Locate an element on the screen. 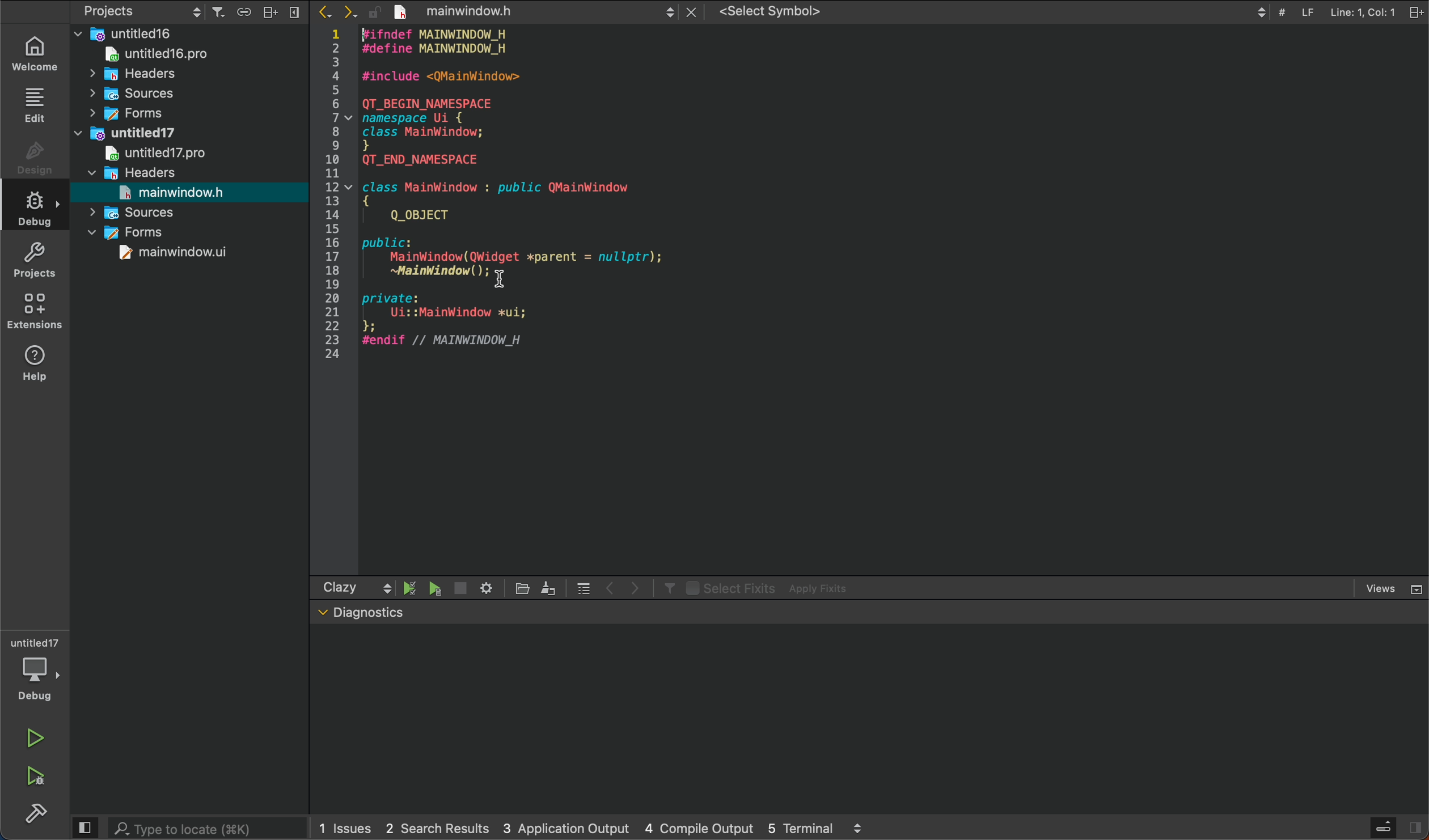  Forms is located at coordinates (132, 233).